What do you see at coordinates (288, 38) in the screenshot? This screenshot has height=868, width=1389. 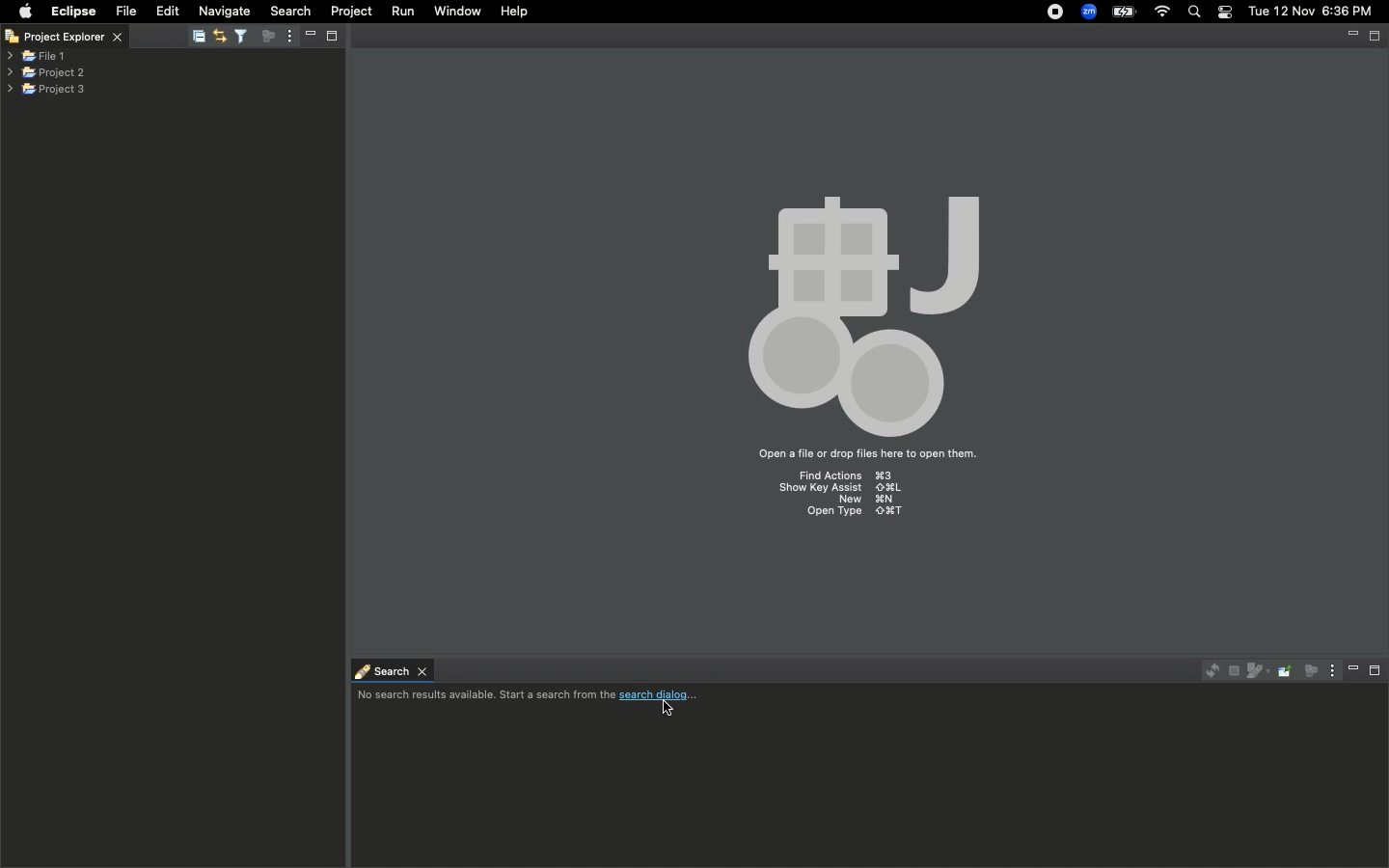 I see `View menu` at bounding box center [288, 38].